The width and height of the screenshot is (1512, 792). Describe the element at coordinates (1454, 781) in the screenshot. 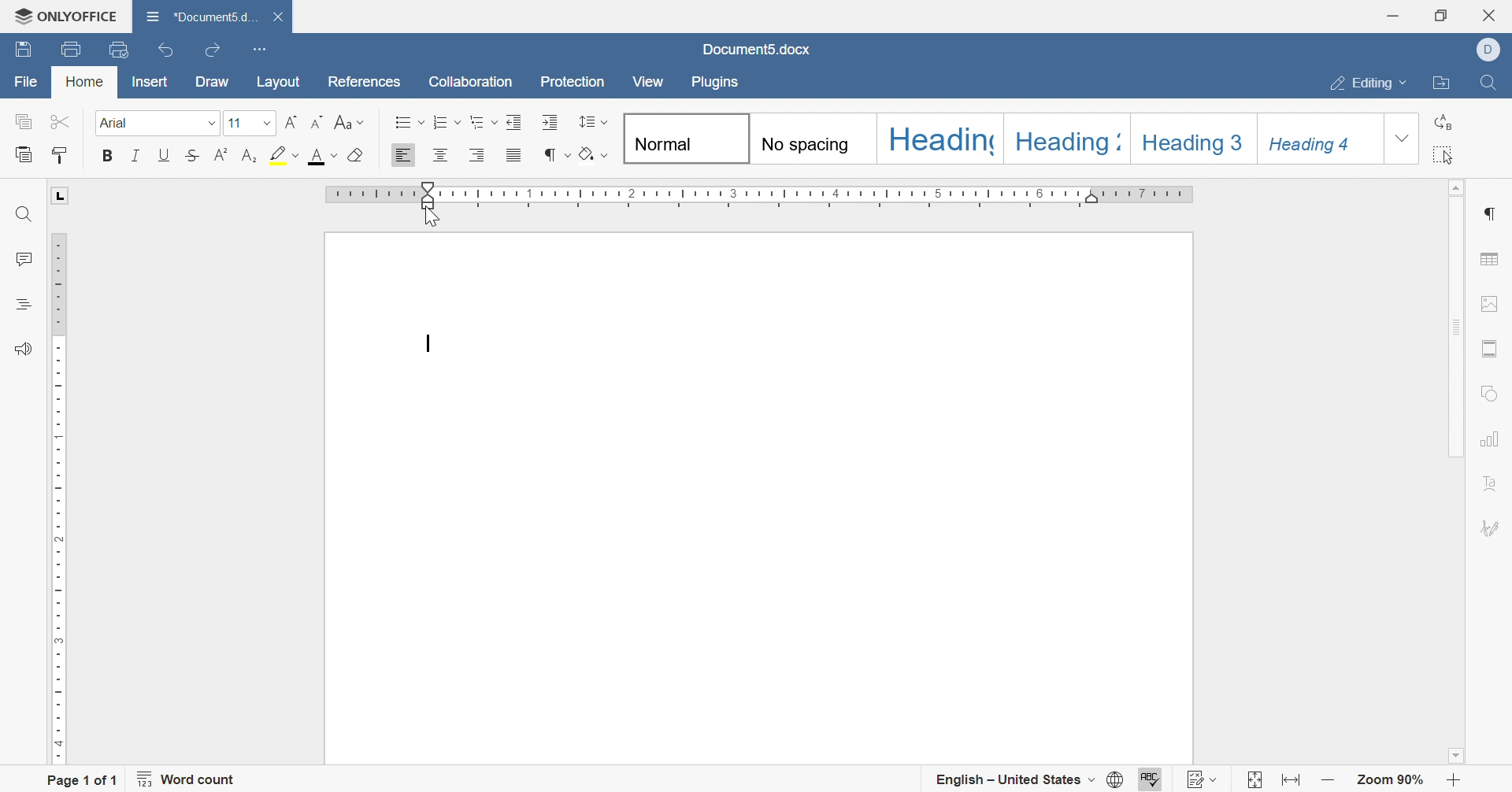

I see `zoom in` at that location.